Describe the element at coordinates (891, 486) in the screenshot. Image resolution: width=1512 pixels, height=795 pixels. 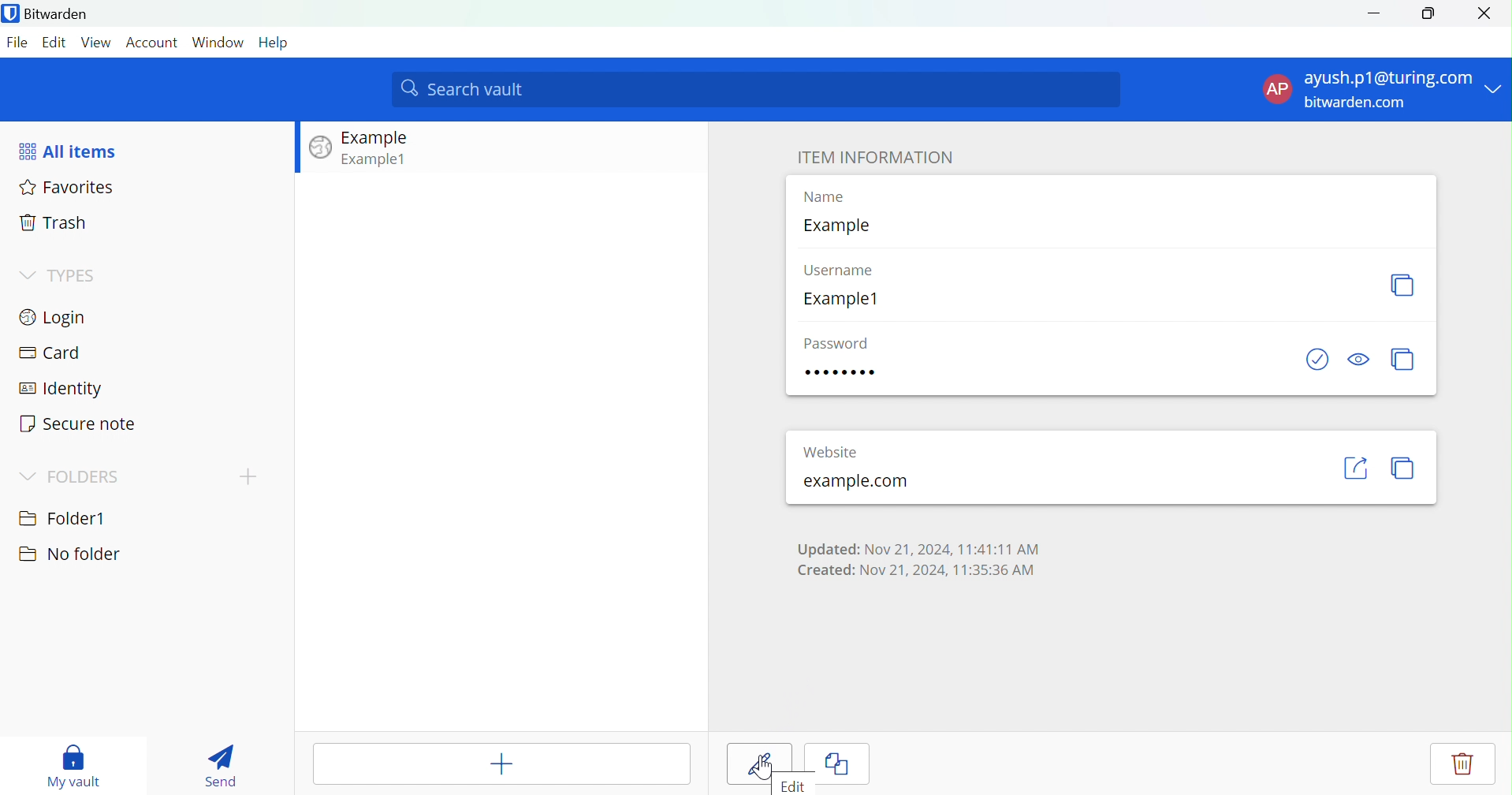
I see `example.com` at that location.